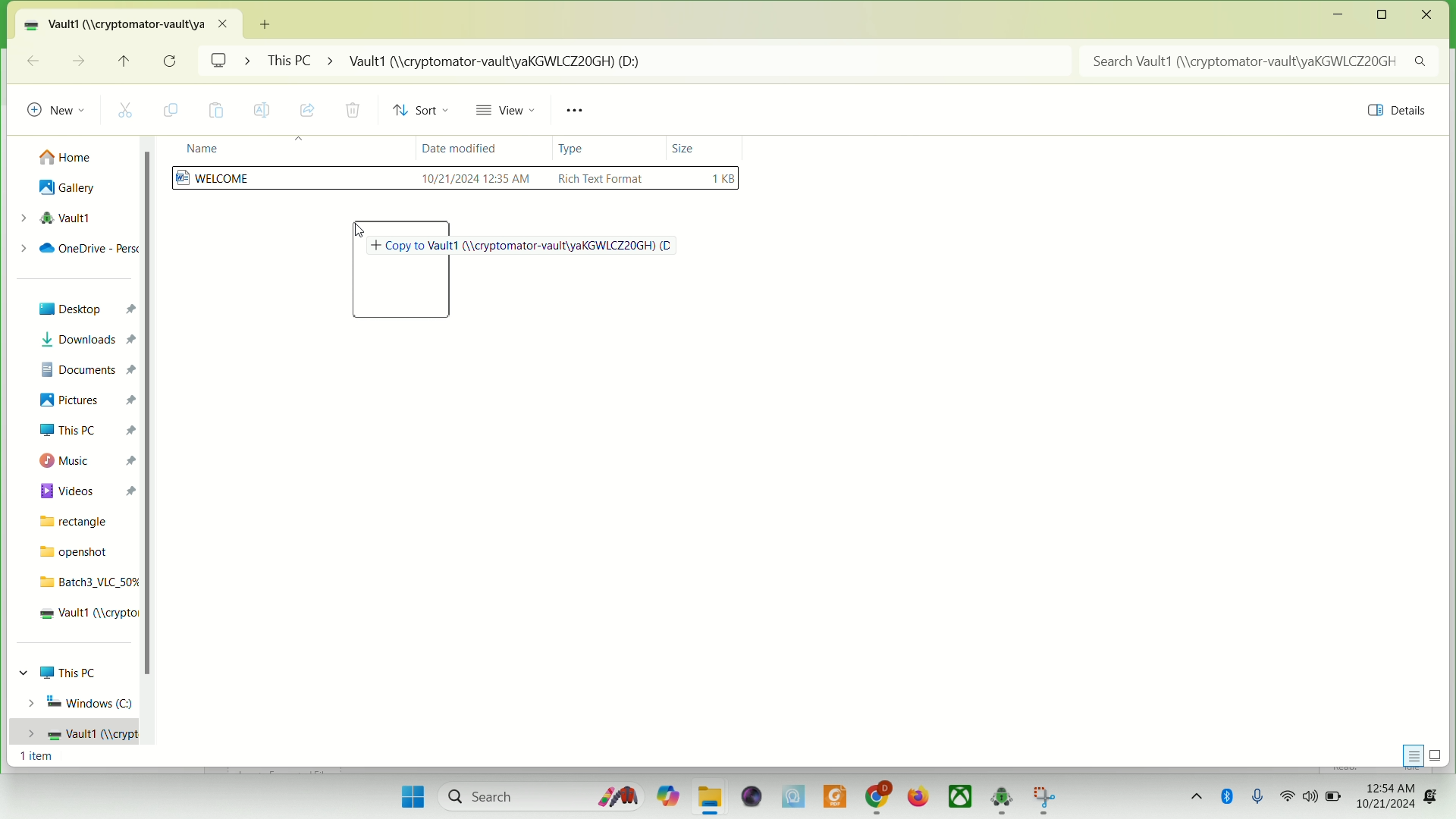 This screenshot has width=1456, height=819. What do you see at coordinates (70, 520) in the screenshot?
I see `rectangle` at bounding box center [70, 520].